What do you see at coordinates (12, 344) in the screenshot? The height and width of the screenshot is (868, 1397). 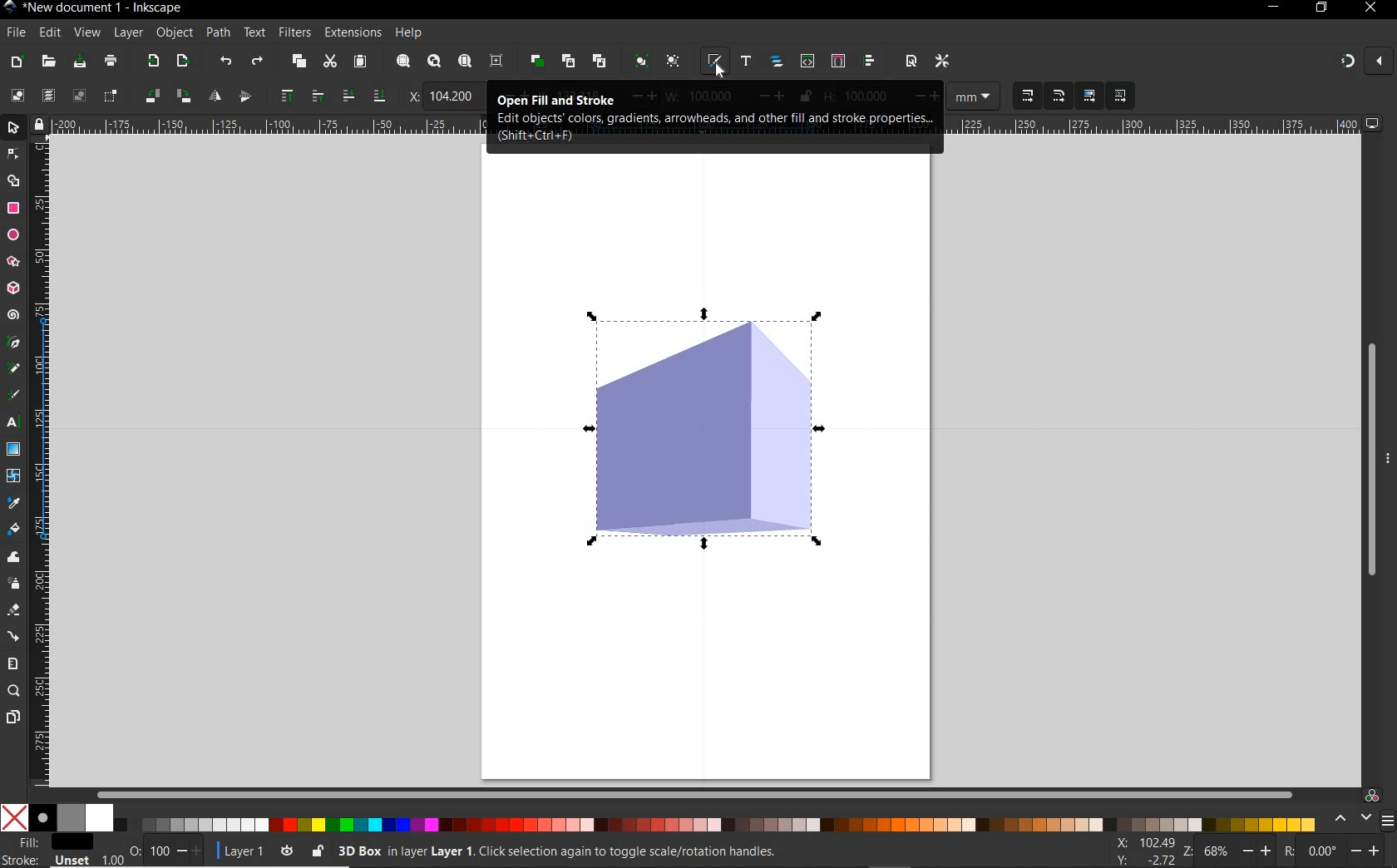 I see `PEN TOOL` at bounding box center [12, 344].